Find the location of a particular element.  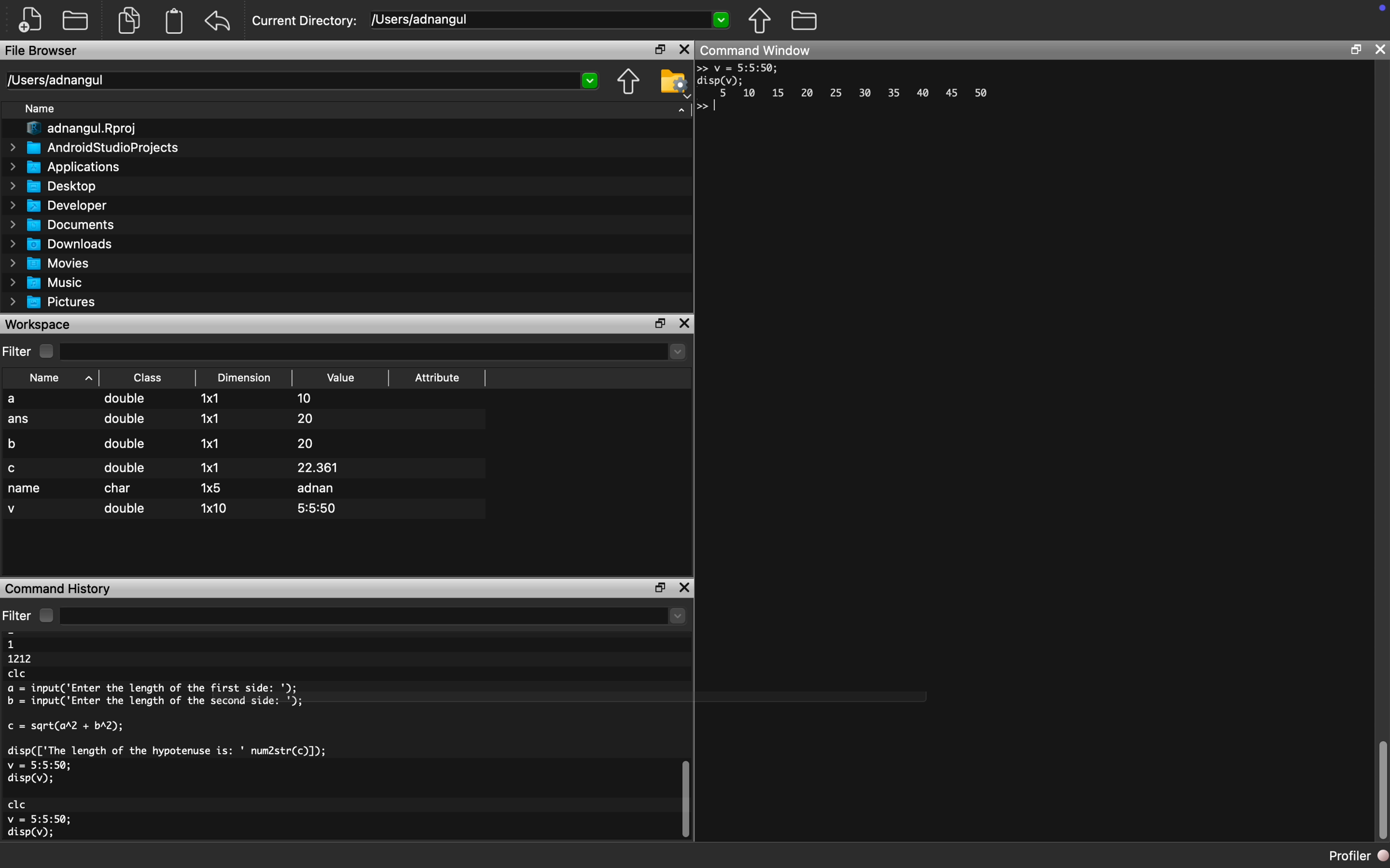

double is located at coordinates (127, 418).